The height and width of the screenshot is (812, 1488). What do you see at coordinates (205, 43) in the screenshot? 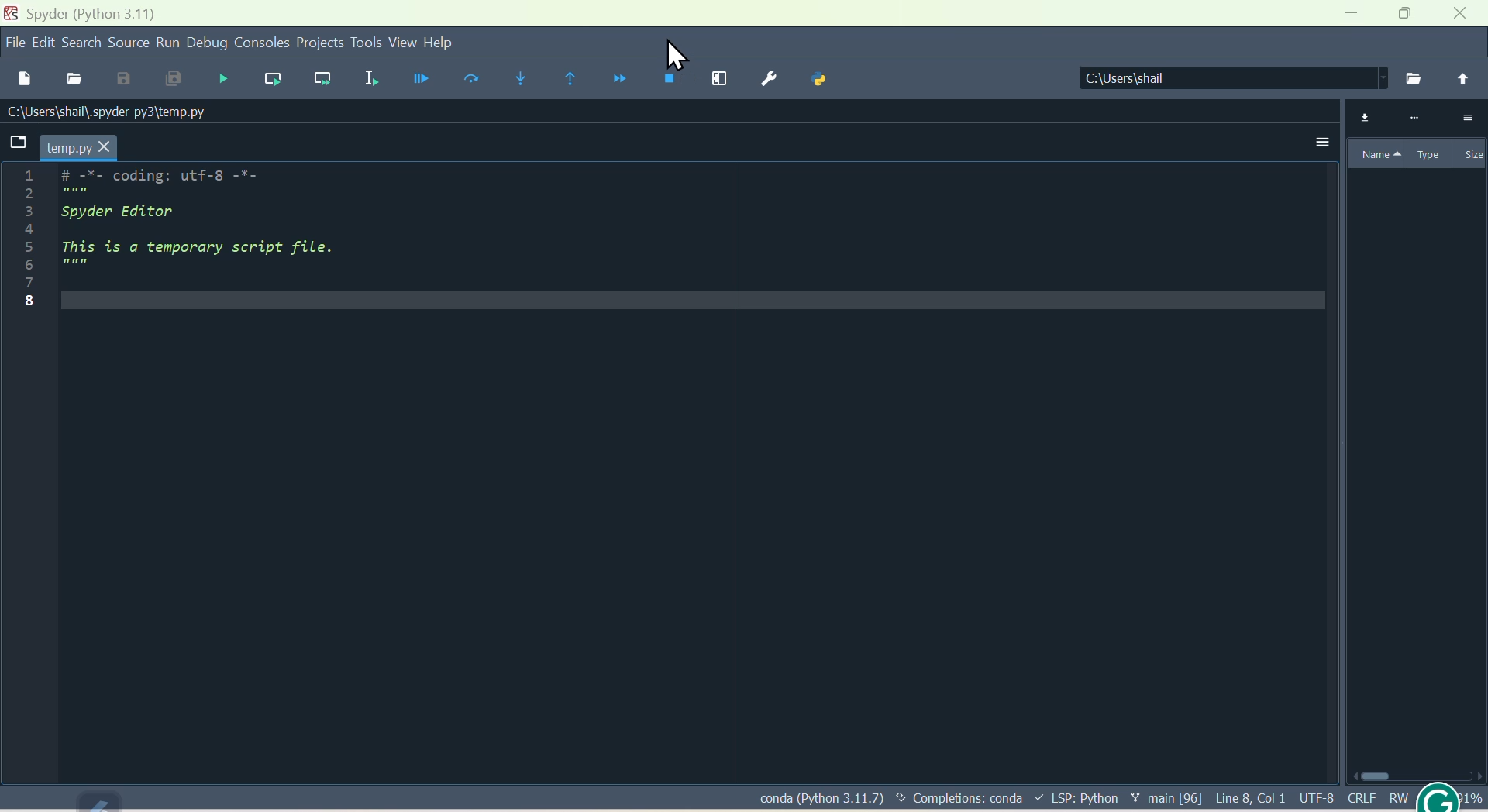
I see `Debug` at bounding box center [205, 43].